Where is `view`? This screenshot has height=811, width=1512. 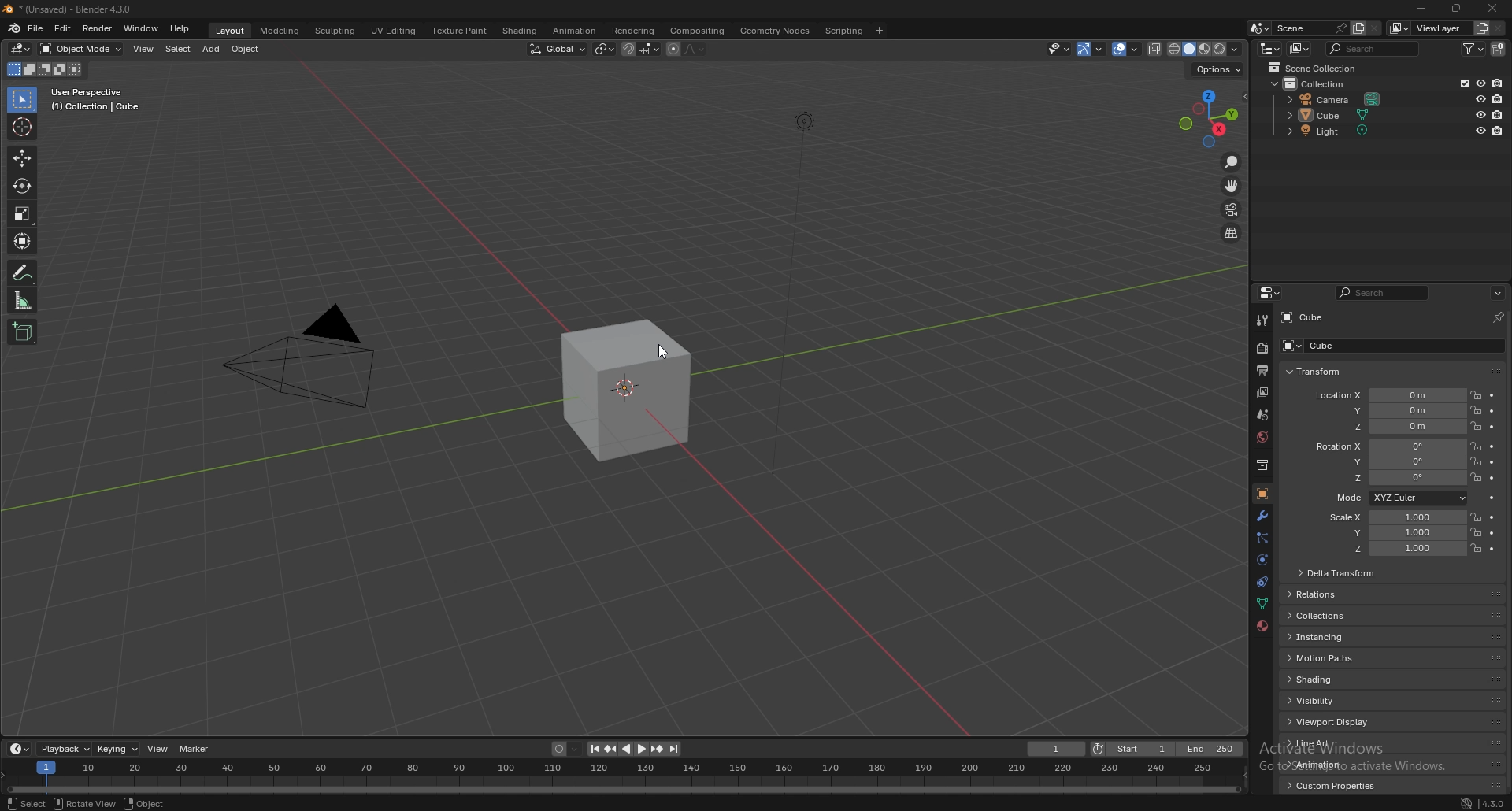
view is located at coordinates (157, 747).